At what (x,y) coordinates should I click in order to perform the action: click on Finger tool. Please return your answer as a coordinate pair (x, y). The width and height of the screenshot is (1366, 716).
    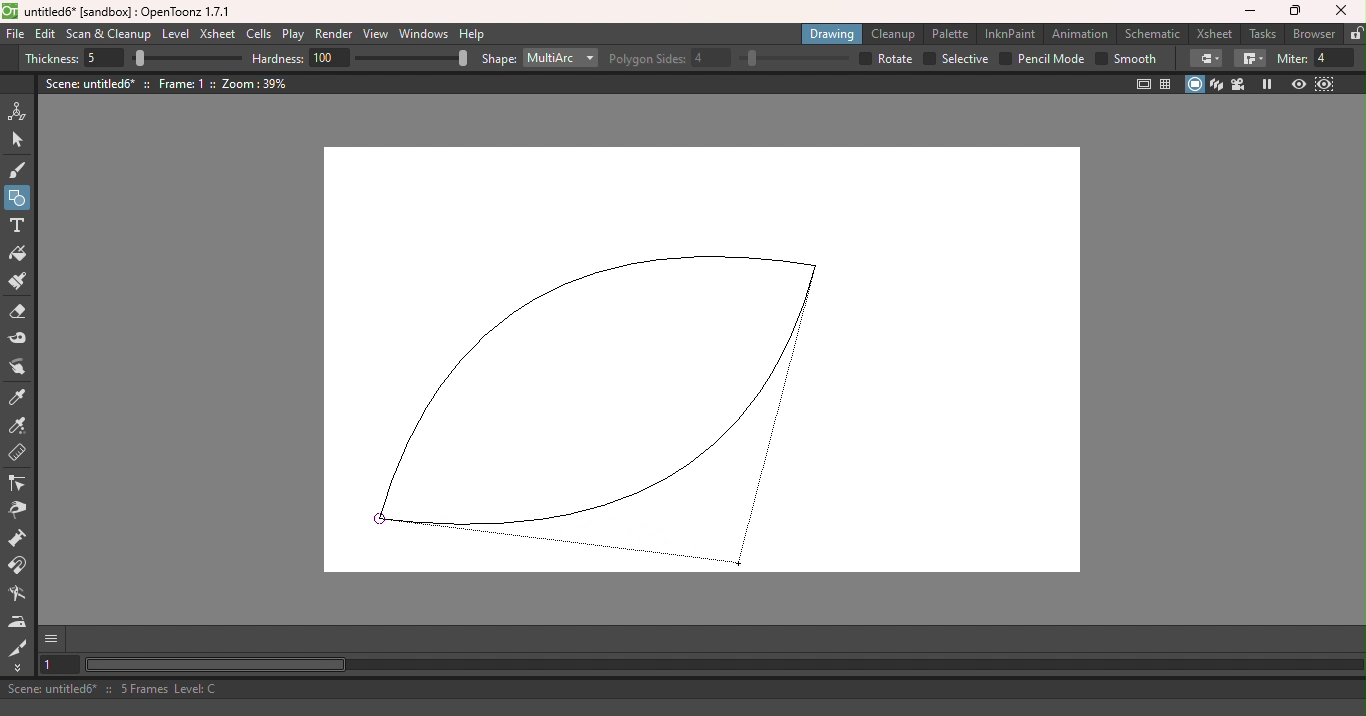
    Looking at the image, I should click on (18, 370).